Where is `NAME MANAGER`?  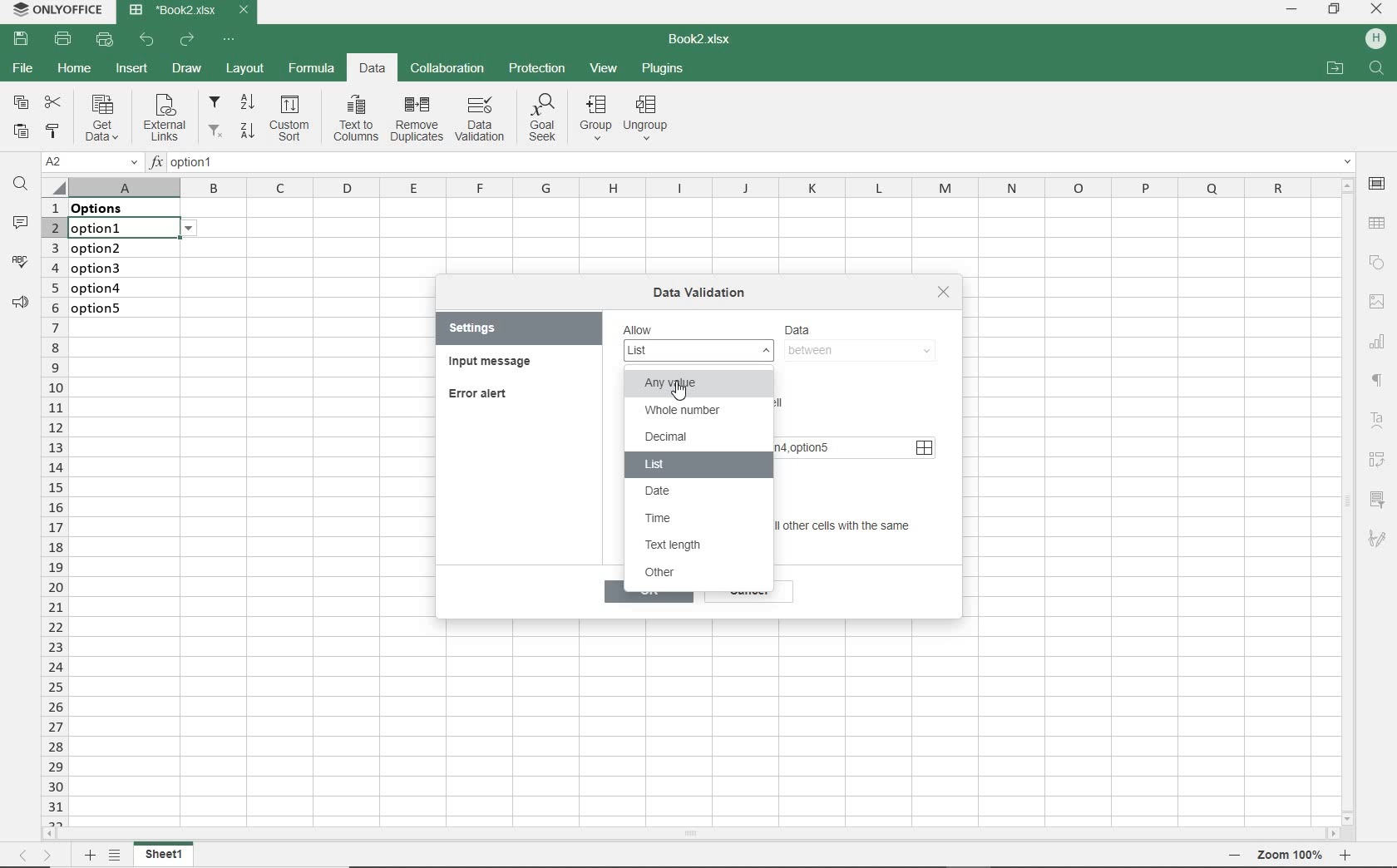
NAME MANAGER is located at coordinates (91, 162).